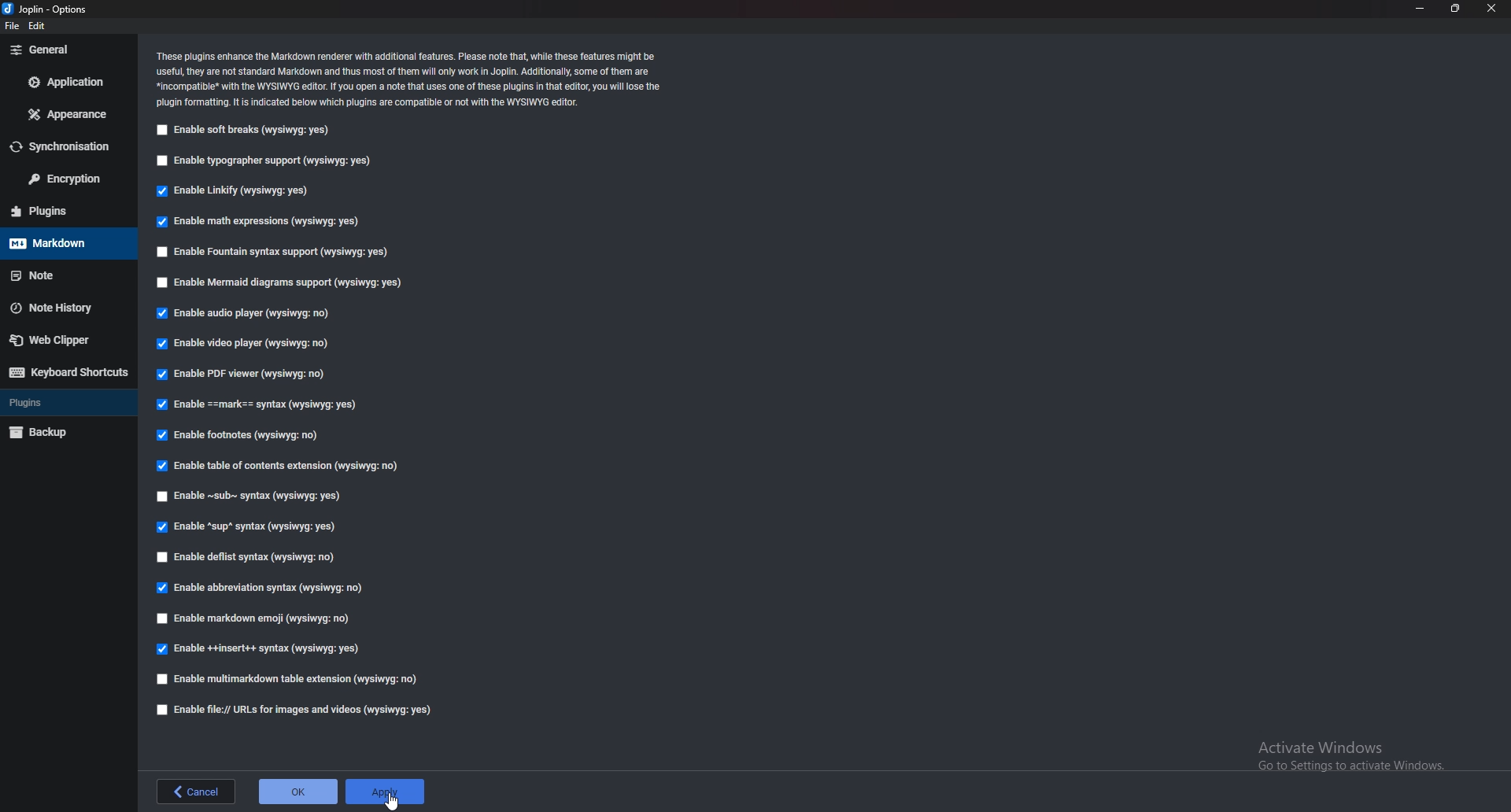  Describe the element at coordinates (39, 28) in the screenshot. I see `edit` at that location.